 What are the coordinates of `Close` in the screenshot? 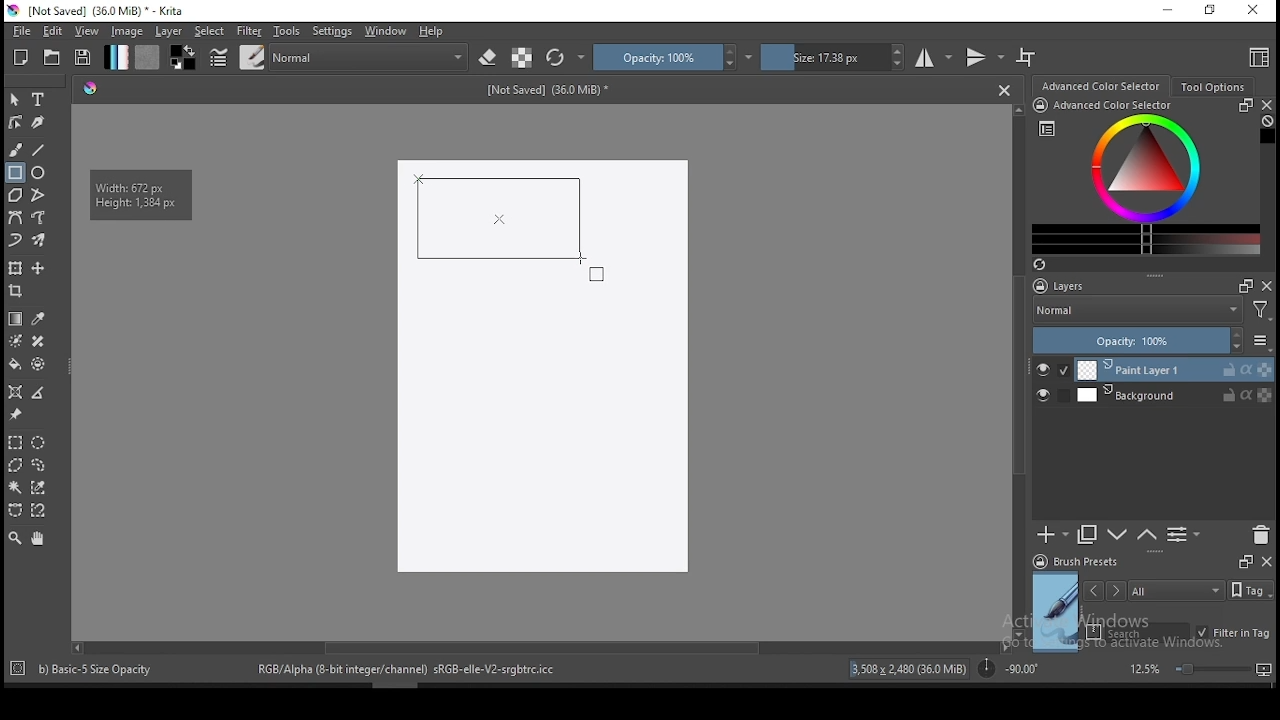 It's located at (1004, 89).